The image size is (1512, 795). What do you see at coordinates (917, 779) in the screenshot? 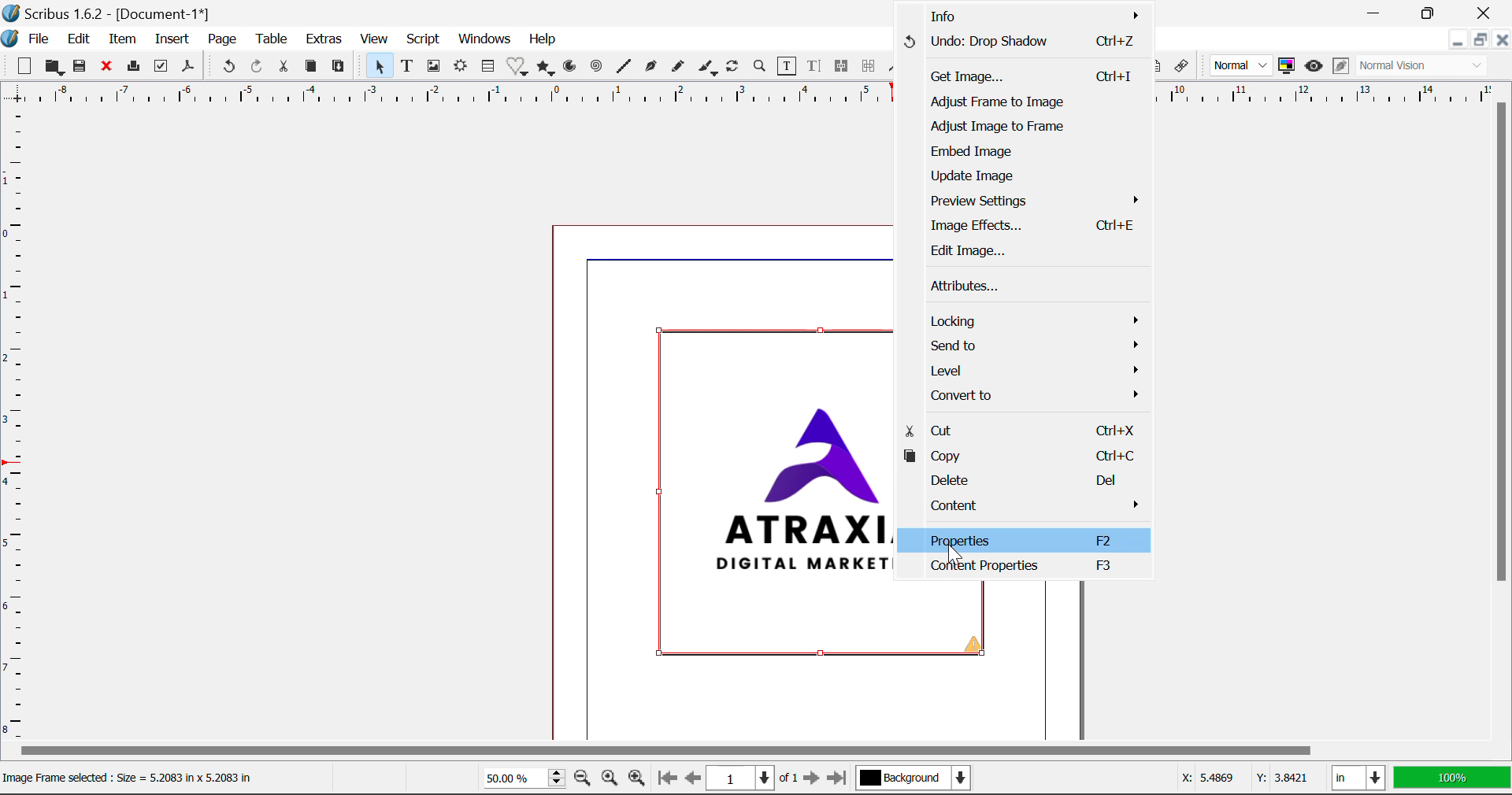
I see `Background` at bounding box center [917, 779].